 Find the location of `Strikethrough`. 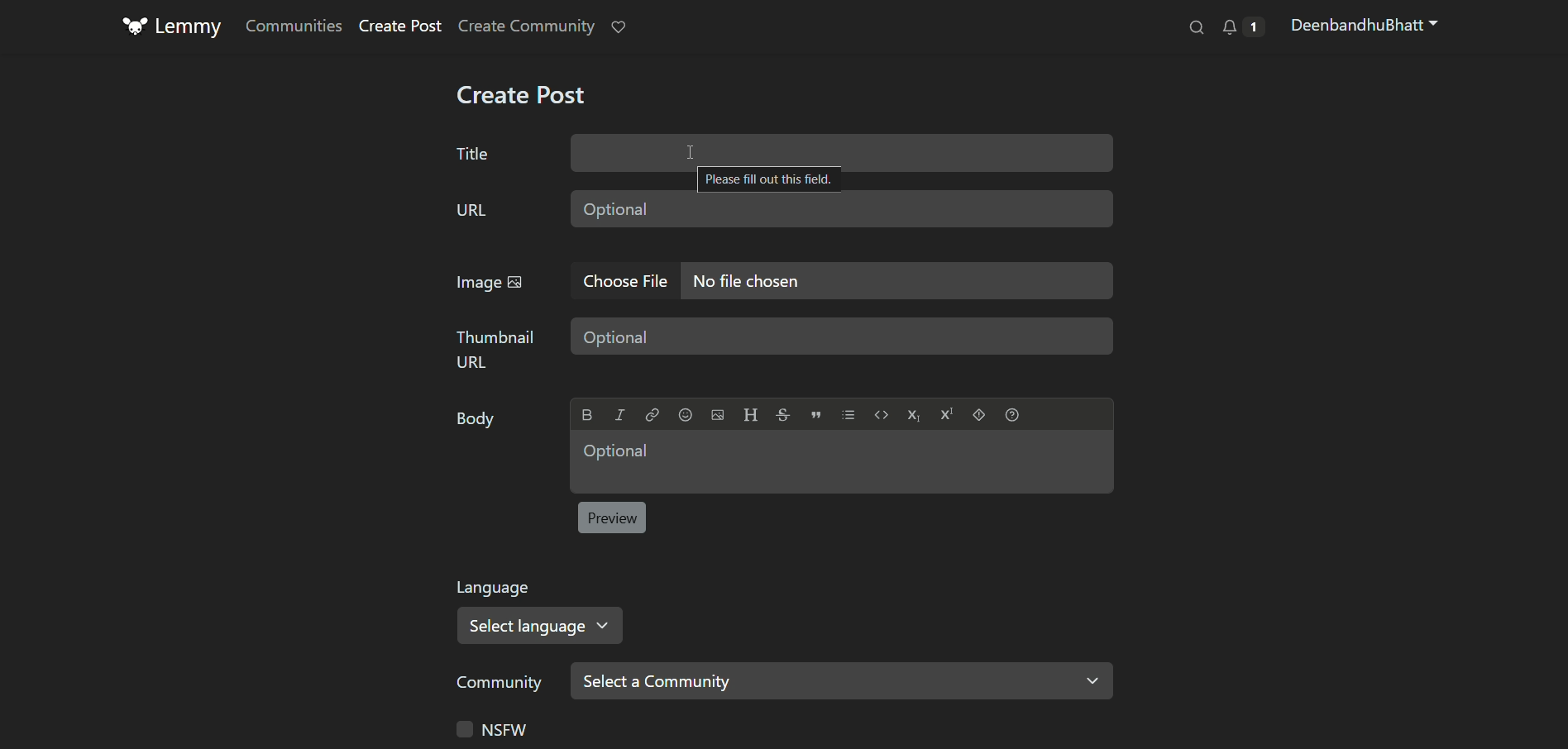

Strikethrough is located at coordinates (783, 415).